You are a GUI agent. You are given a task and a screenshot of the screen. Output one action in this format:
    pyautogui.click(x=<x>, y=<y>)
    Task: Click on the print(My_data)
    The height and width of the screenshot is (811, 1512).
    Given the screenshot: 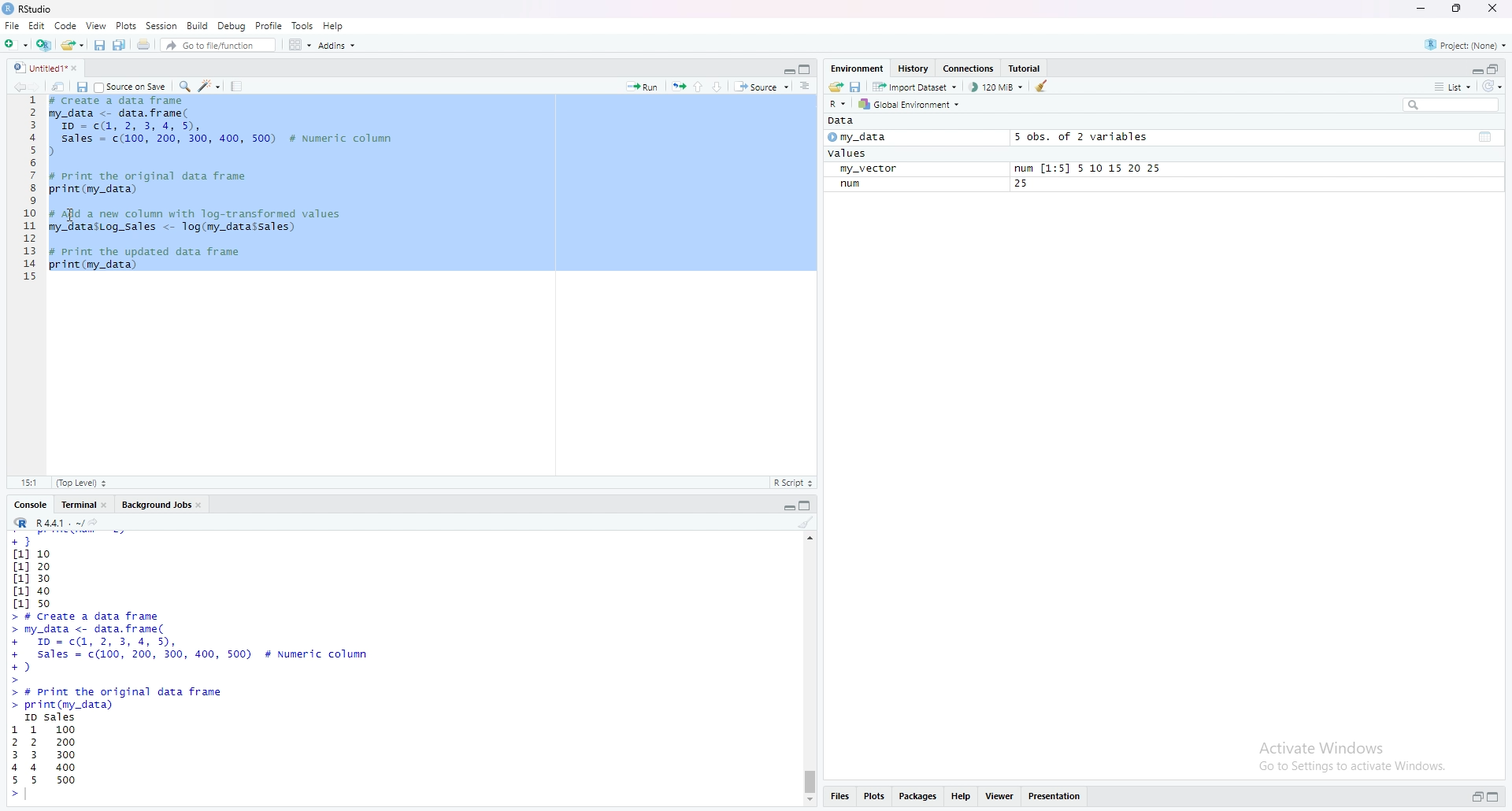 What is the action you would take?
    pyautogui.click(x=94, y=190)
    